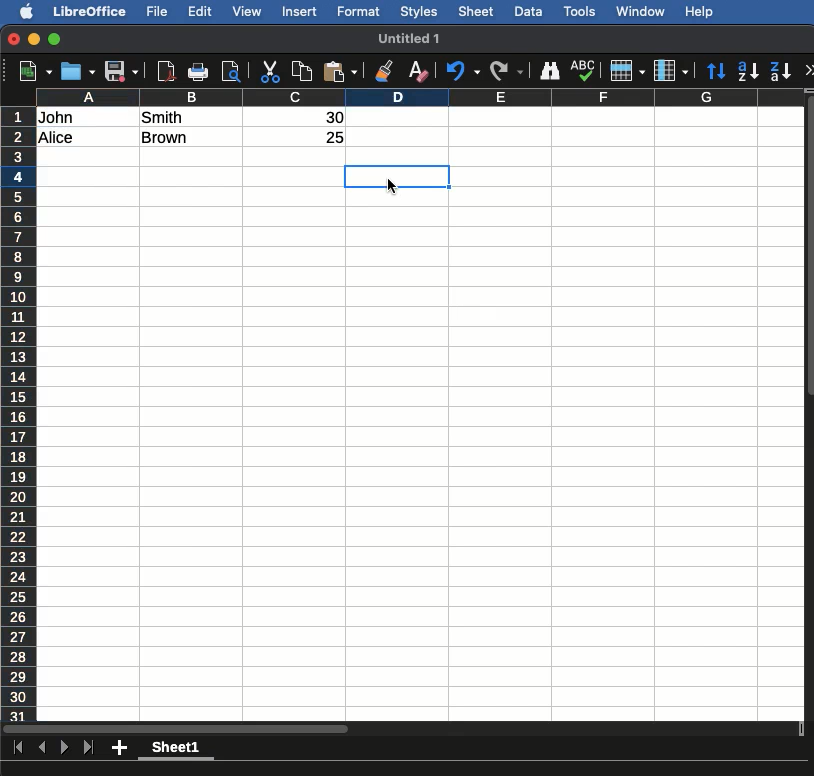  Describe the element at coordinates (246, 12) in the screenshot. I see `View` at that location.